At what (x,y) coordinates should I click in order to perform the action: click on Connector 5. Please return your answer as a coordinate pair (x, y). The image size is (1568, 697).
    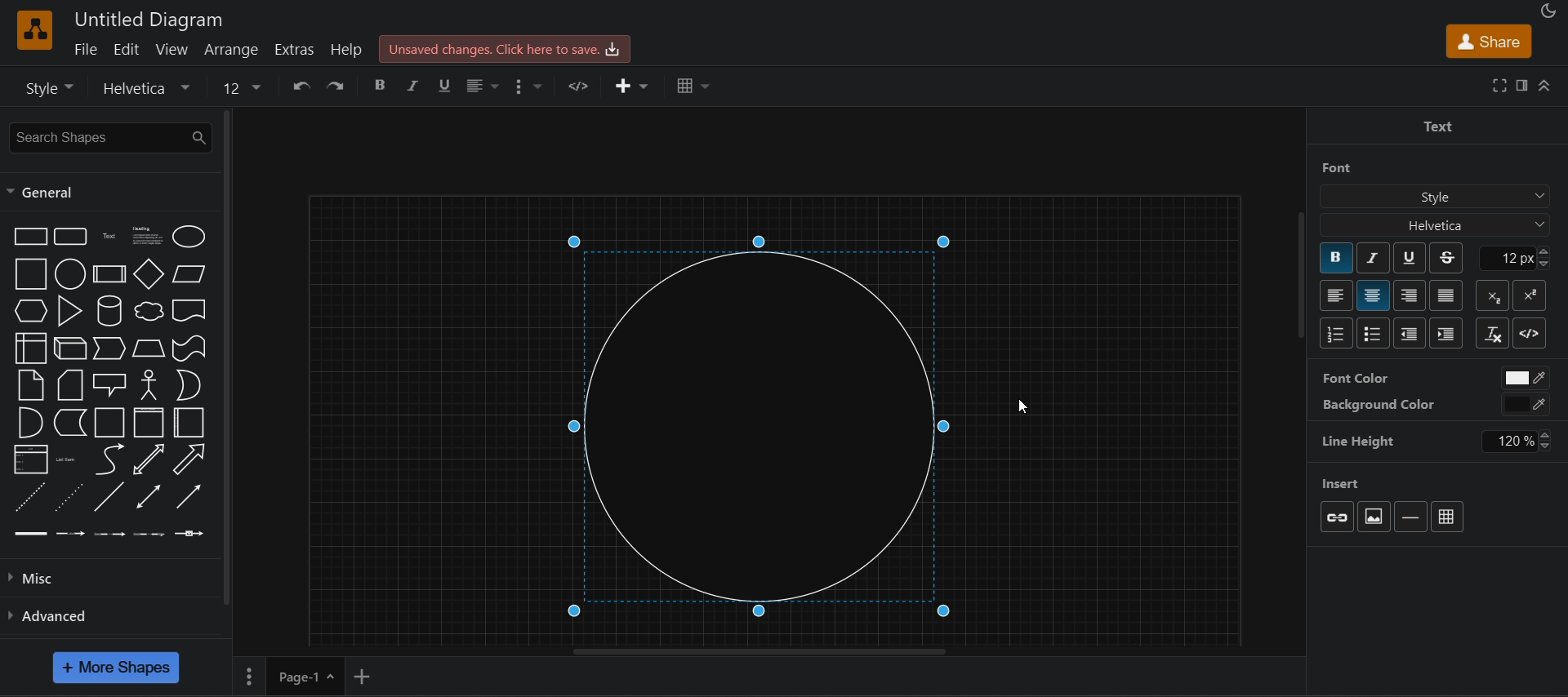
    Looking at the image, I should click on (189, 534).